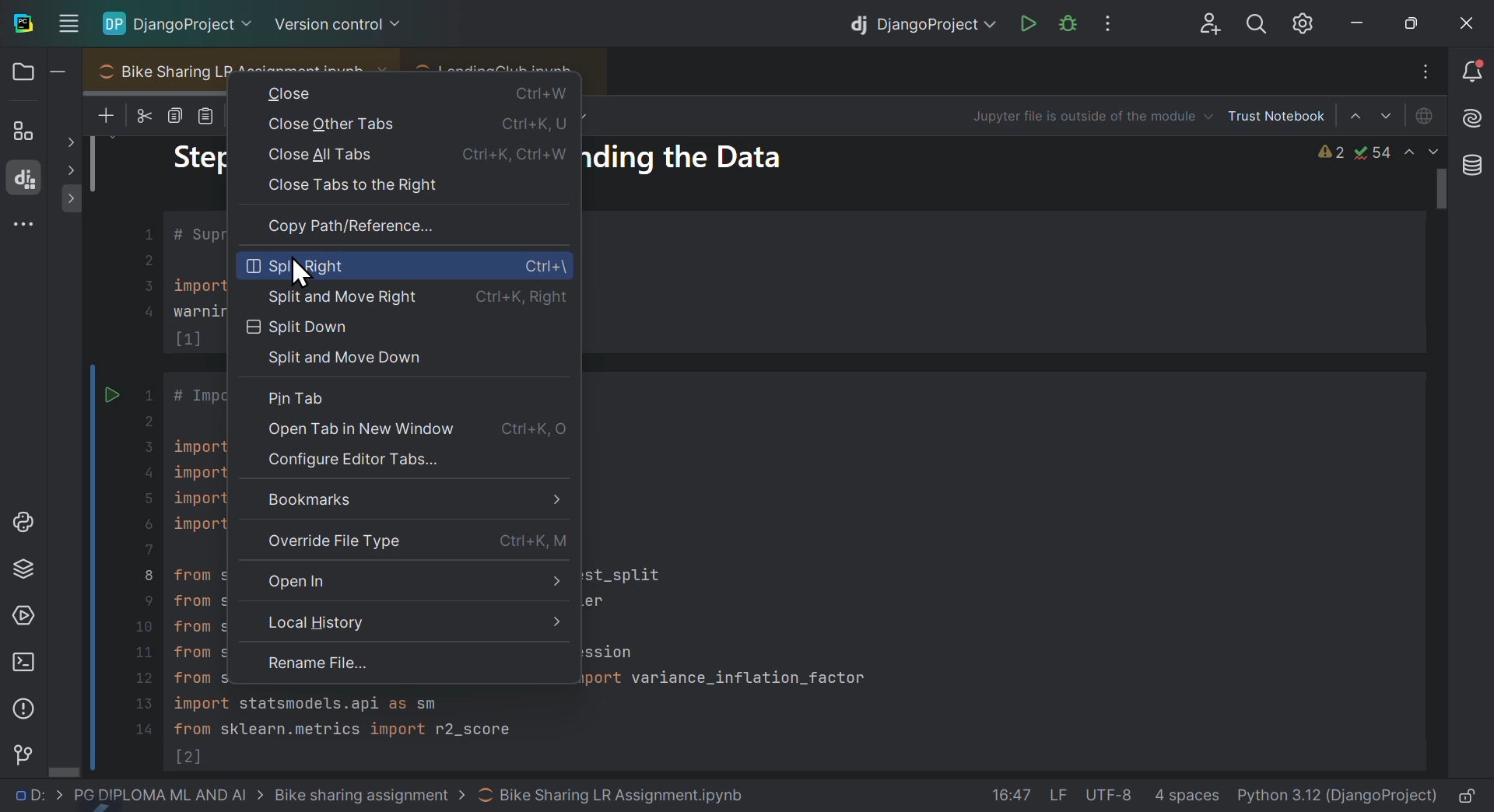  Describe the element at coordinates (209, 117) in the screenshot. I see `paste` at that location.